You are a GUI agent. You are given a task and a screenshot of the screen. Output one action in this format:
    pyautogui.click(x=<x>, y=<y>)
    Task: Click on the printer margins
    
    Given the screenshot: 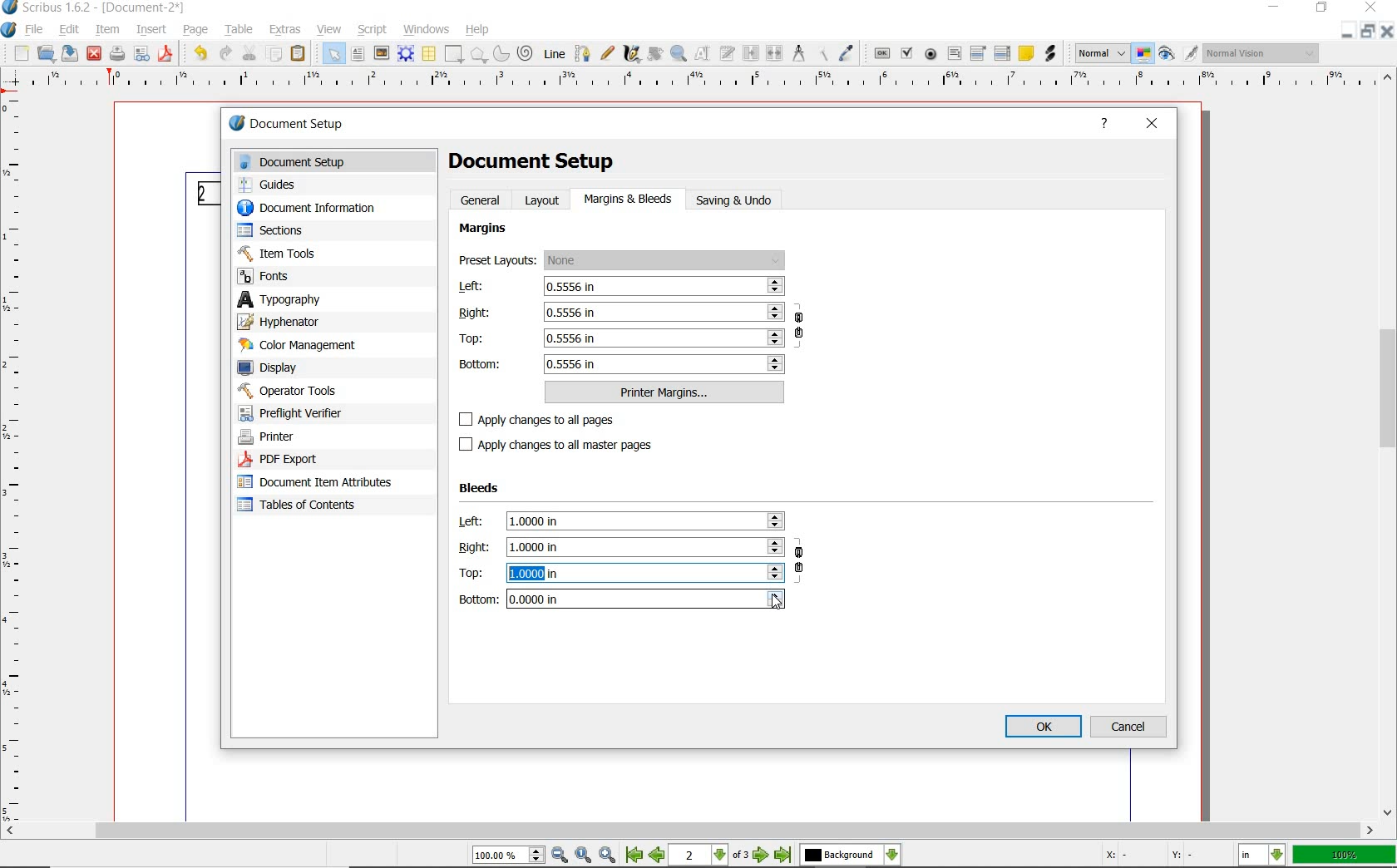 What is the action you would take?
    pyautogui.click(x=665, y=392)
    